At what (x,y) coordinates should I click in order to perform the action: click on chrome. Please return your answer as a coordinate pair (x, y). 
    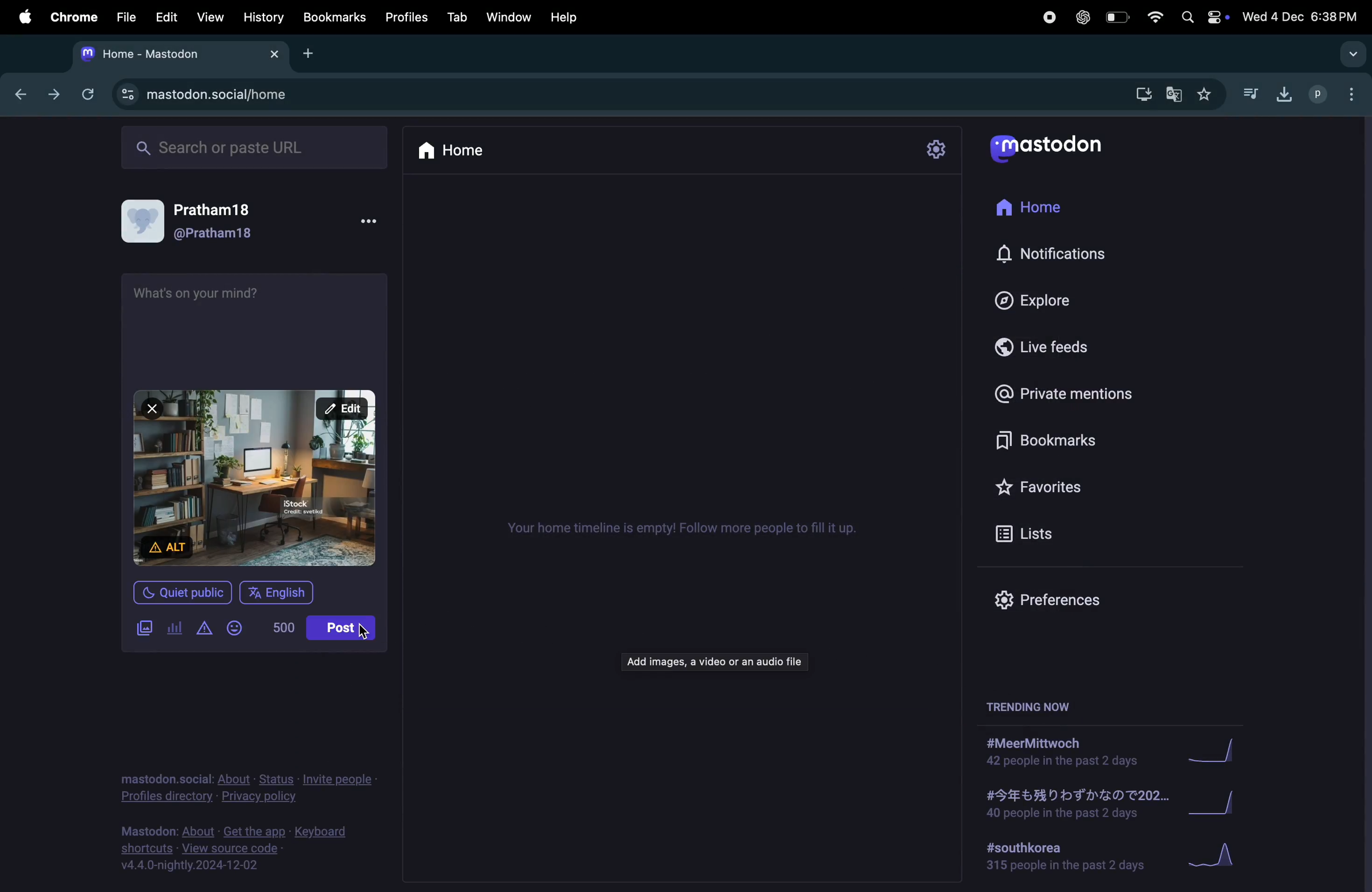
    Looking at the image, I should click on (71, 19).